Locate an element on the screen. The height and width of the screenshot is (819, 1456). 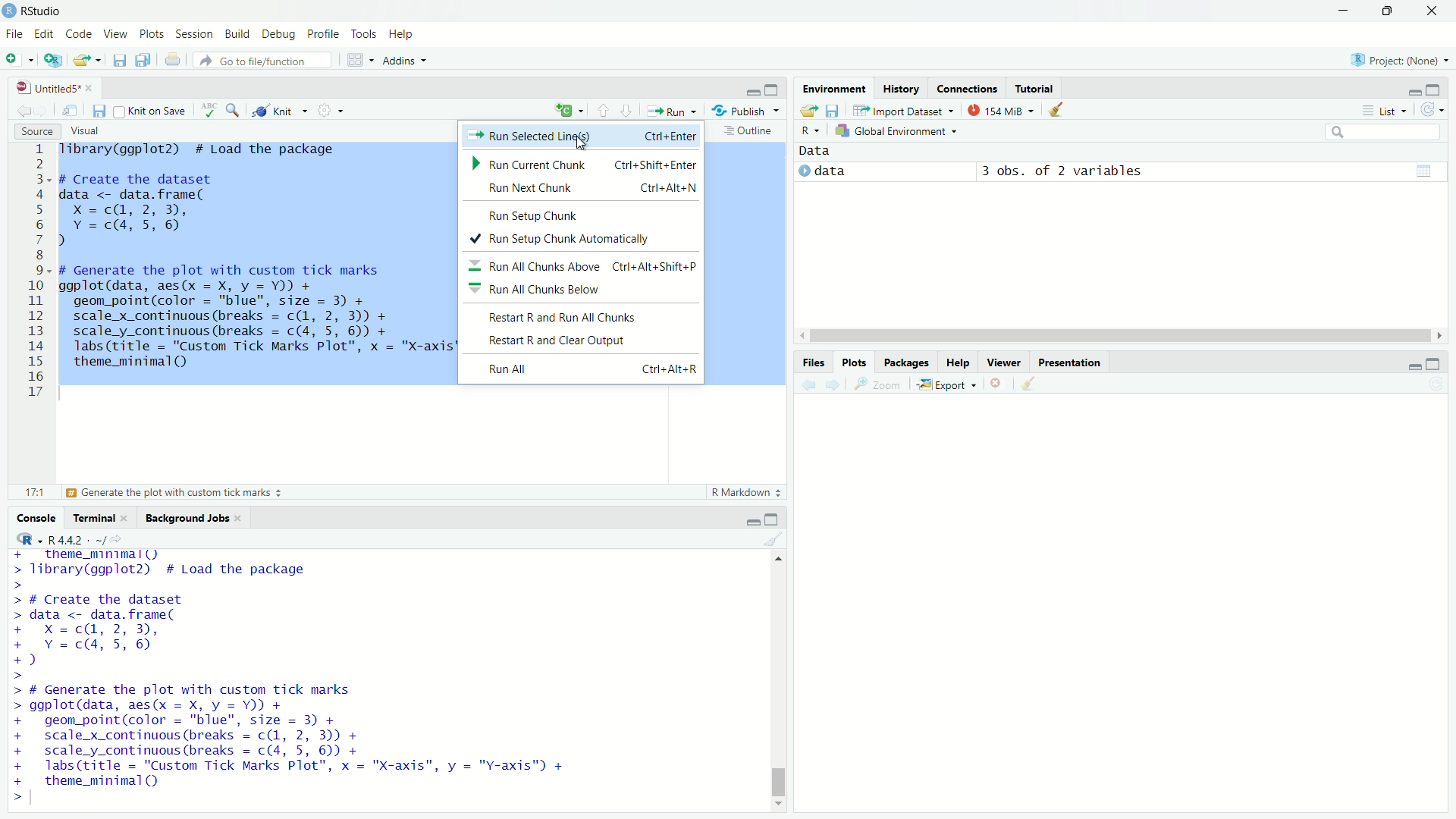
prompt cursor is located at coordinates (19, 677).